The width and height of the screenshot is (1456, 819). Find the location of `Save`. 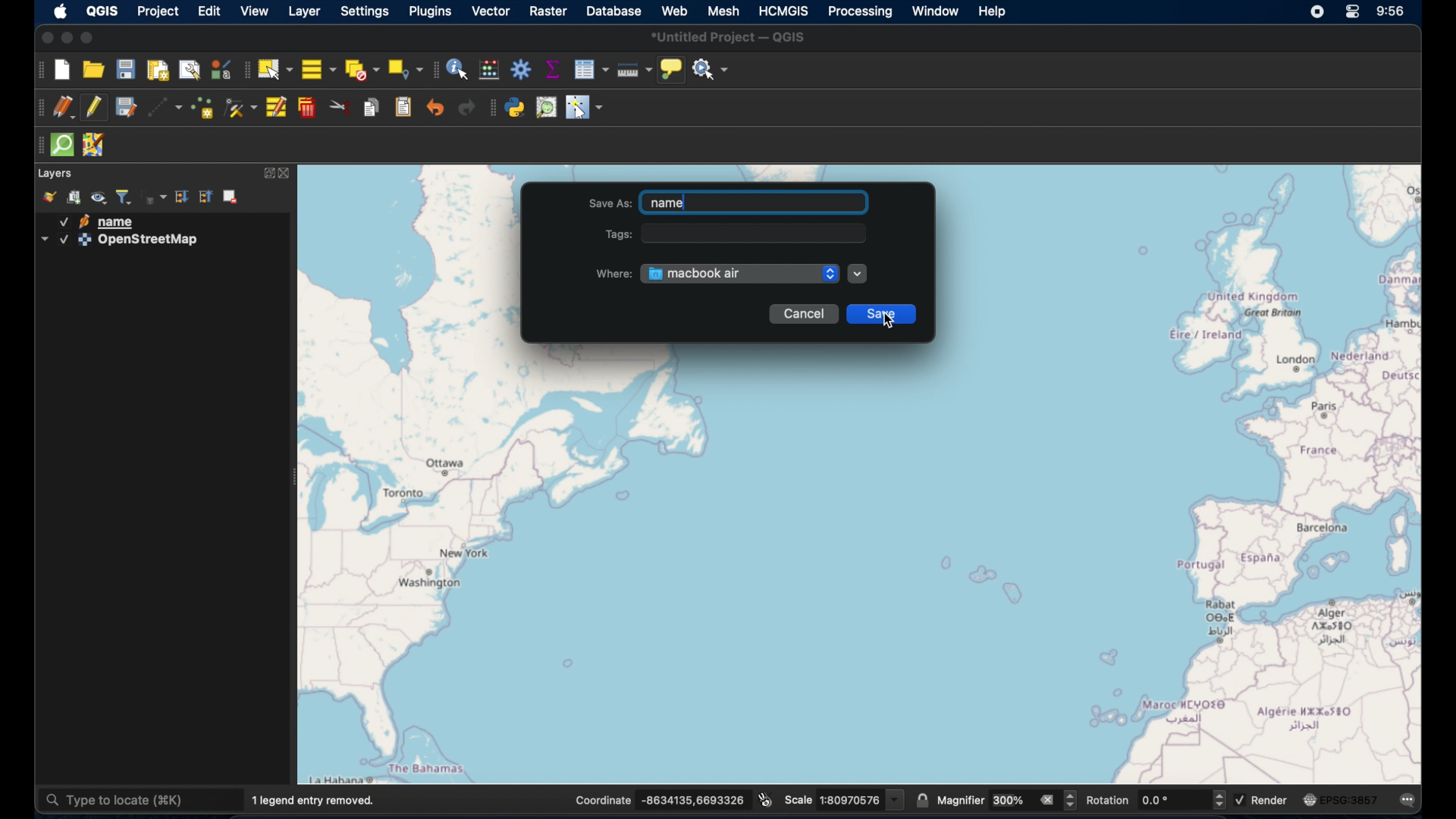

Save is located at coordinates (885, 315).